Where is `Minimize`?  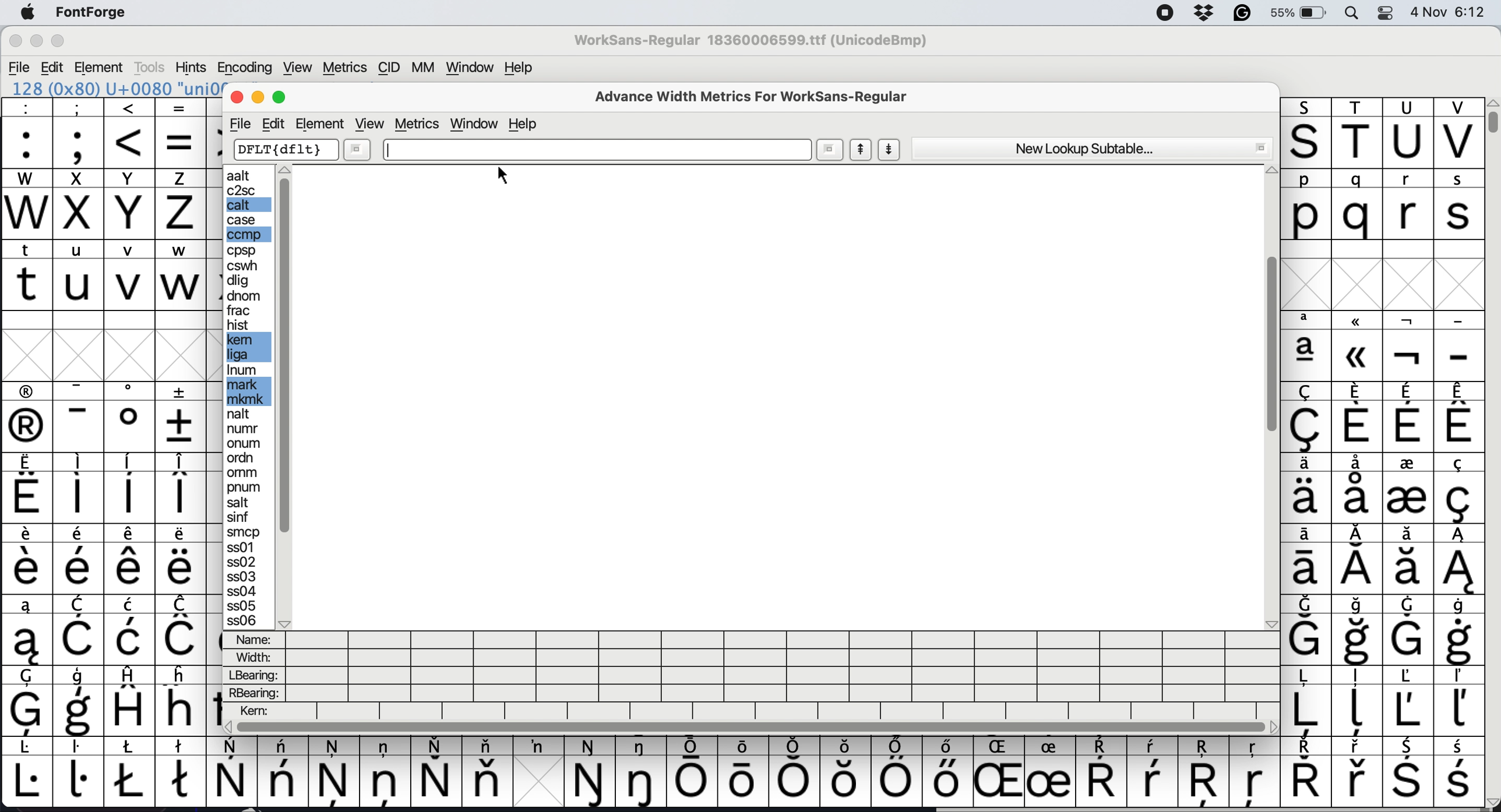 Minimize is located at coordinates (40, 41).